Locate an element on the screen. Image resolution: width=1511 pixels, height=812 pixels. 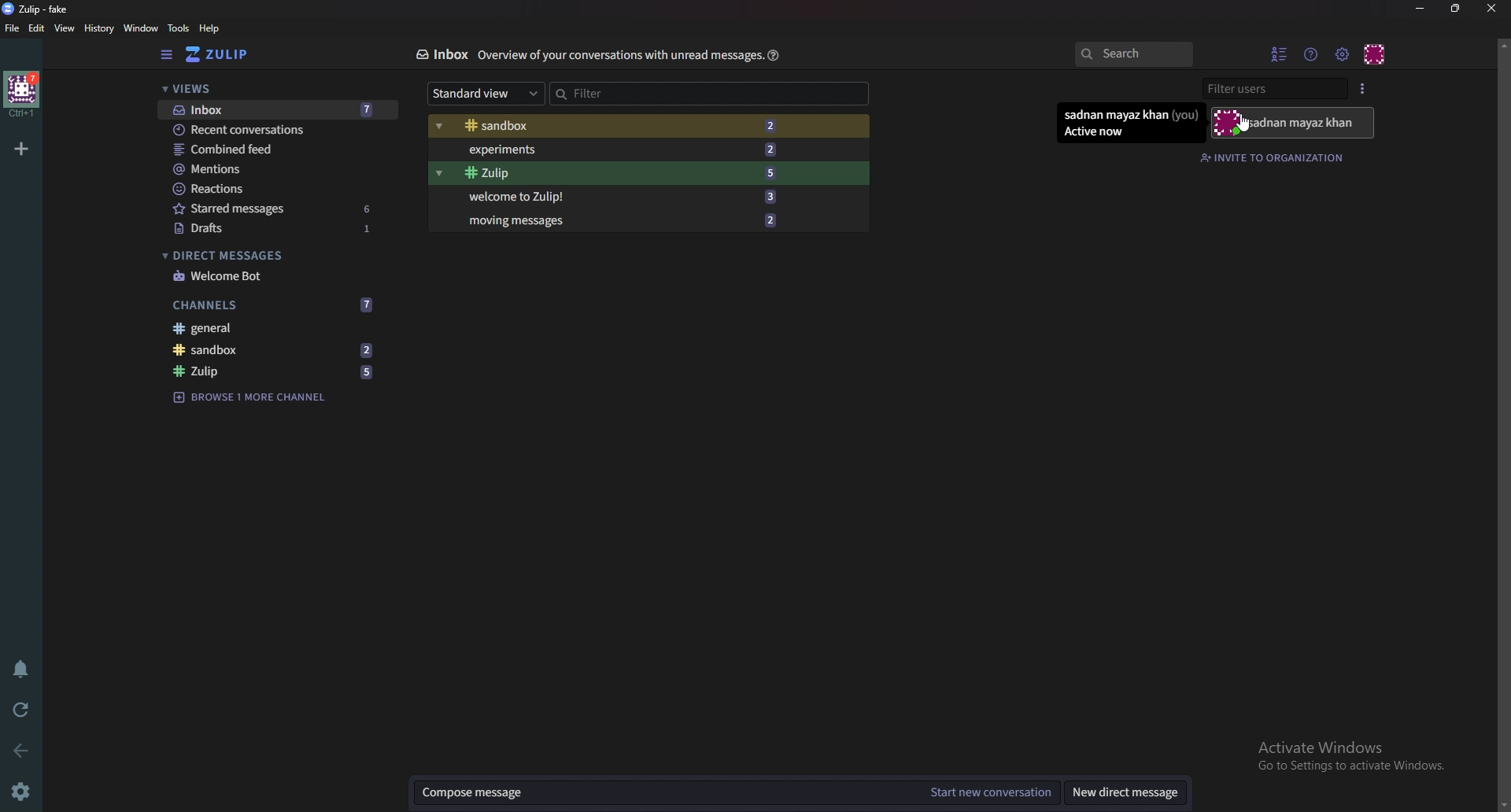
Zulip is located at coordinates (35, 9).